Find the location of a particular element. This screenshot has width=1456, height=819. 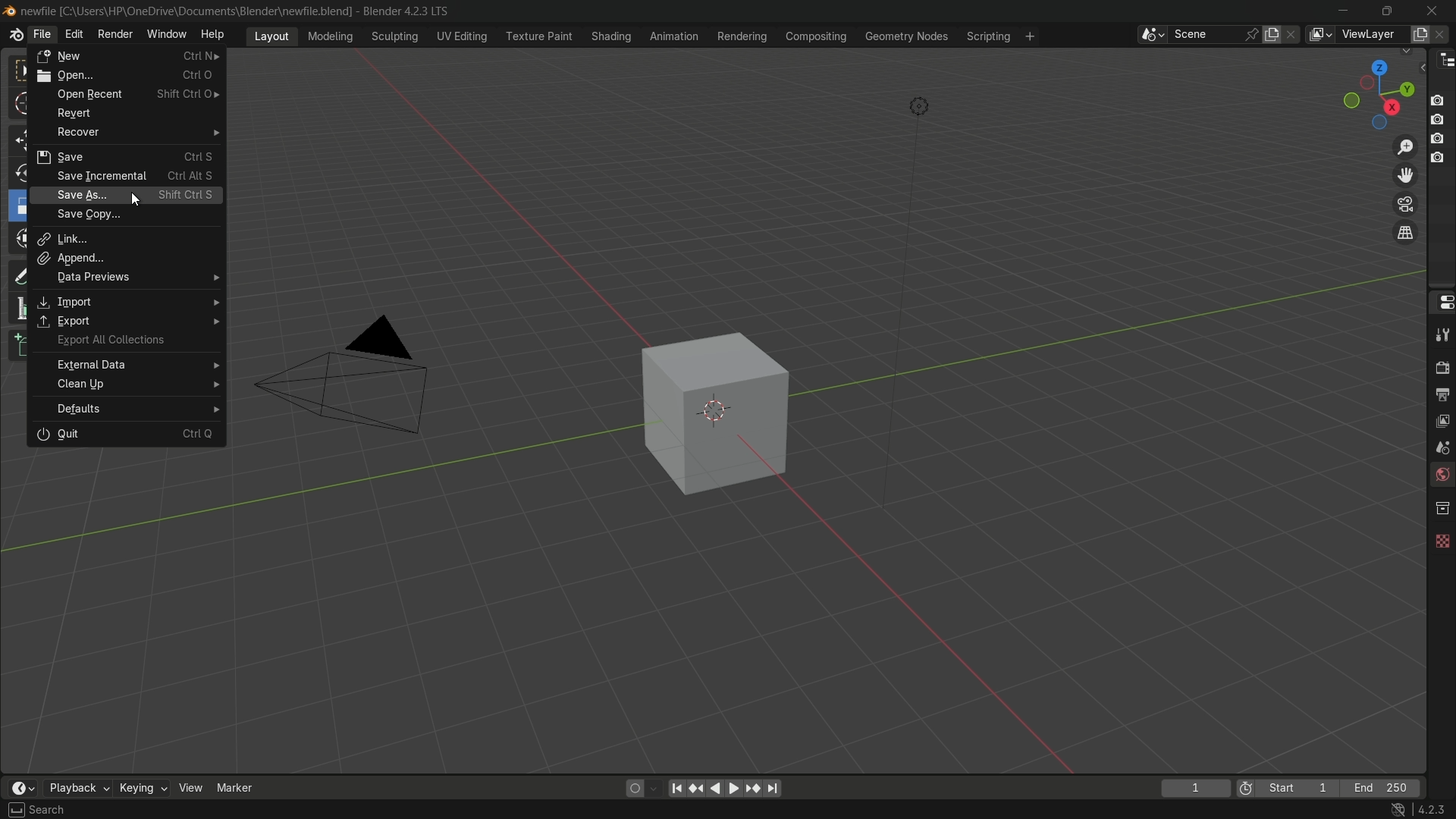

export is located at coordinates (125, 322).